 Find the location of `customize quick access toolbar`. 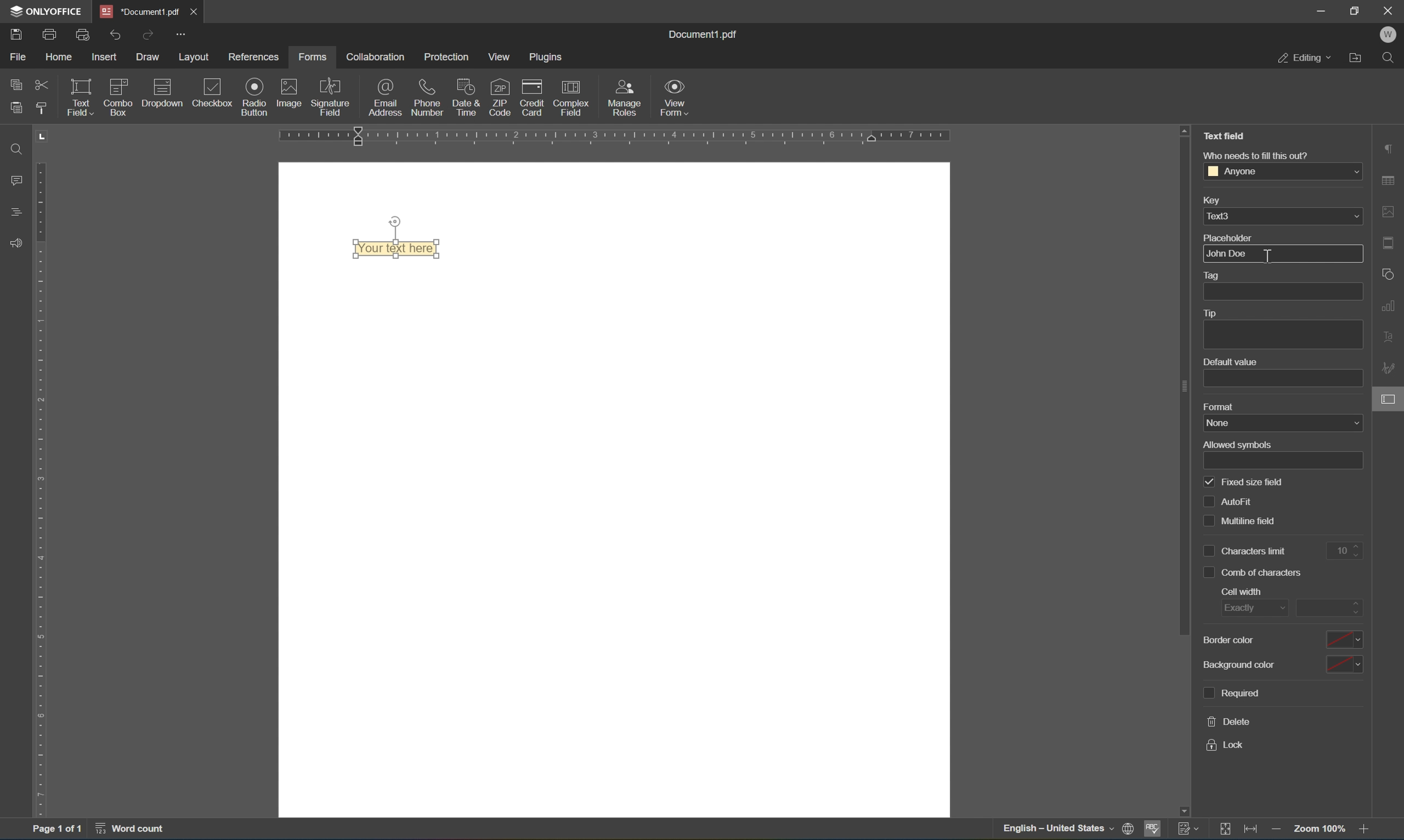

customize quick access toolbar is located at coordinates (182, 34).